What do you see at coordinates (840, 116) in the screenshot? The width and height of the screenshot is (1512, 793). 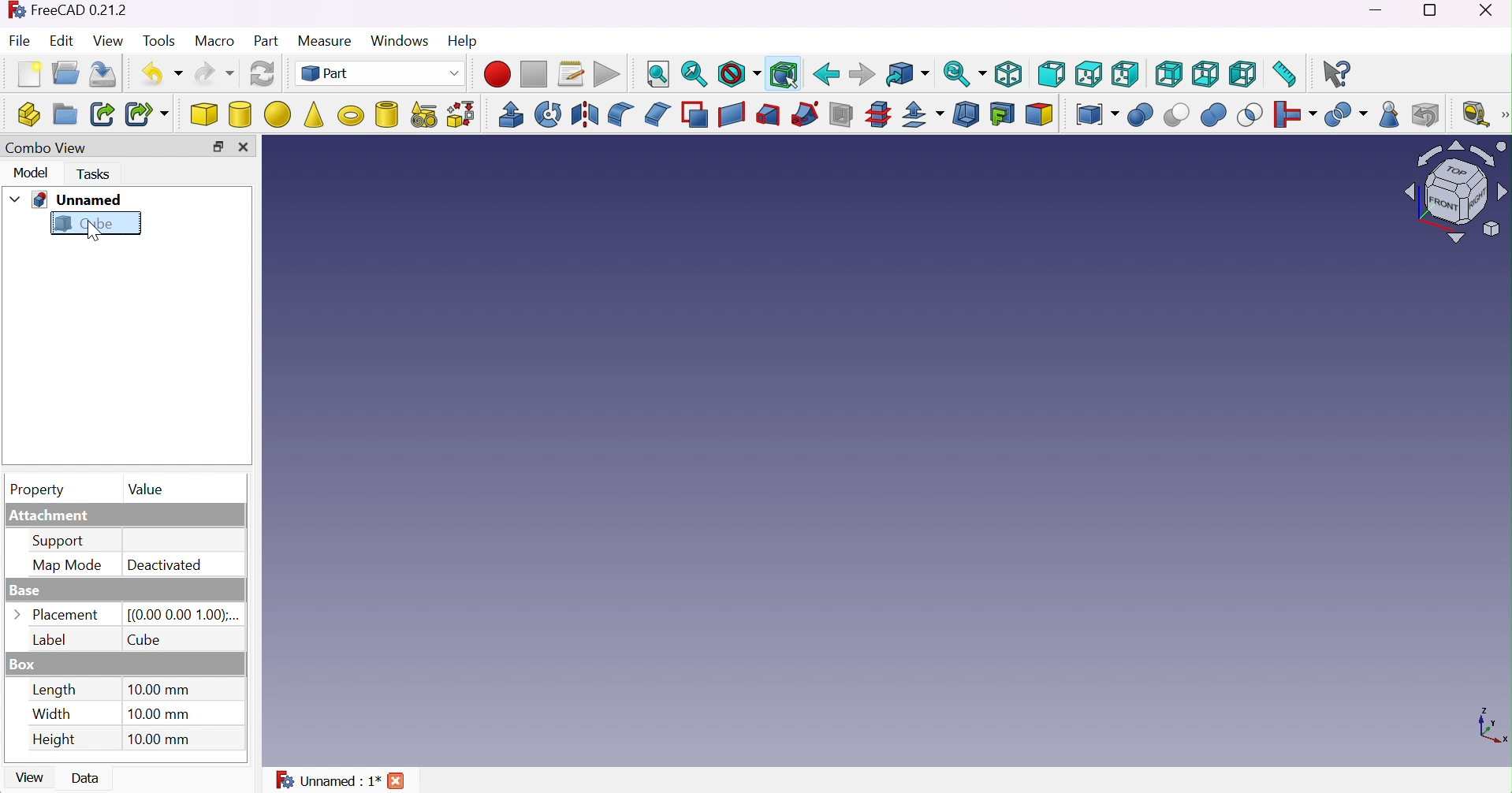 I see `Section` at bounding box center [840, 116].